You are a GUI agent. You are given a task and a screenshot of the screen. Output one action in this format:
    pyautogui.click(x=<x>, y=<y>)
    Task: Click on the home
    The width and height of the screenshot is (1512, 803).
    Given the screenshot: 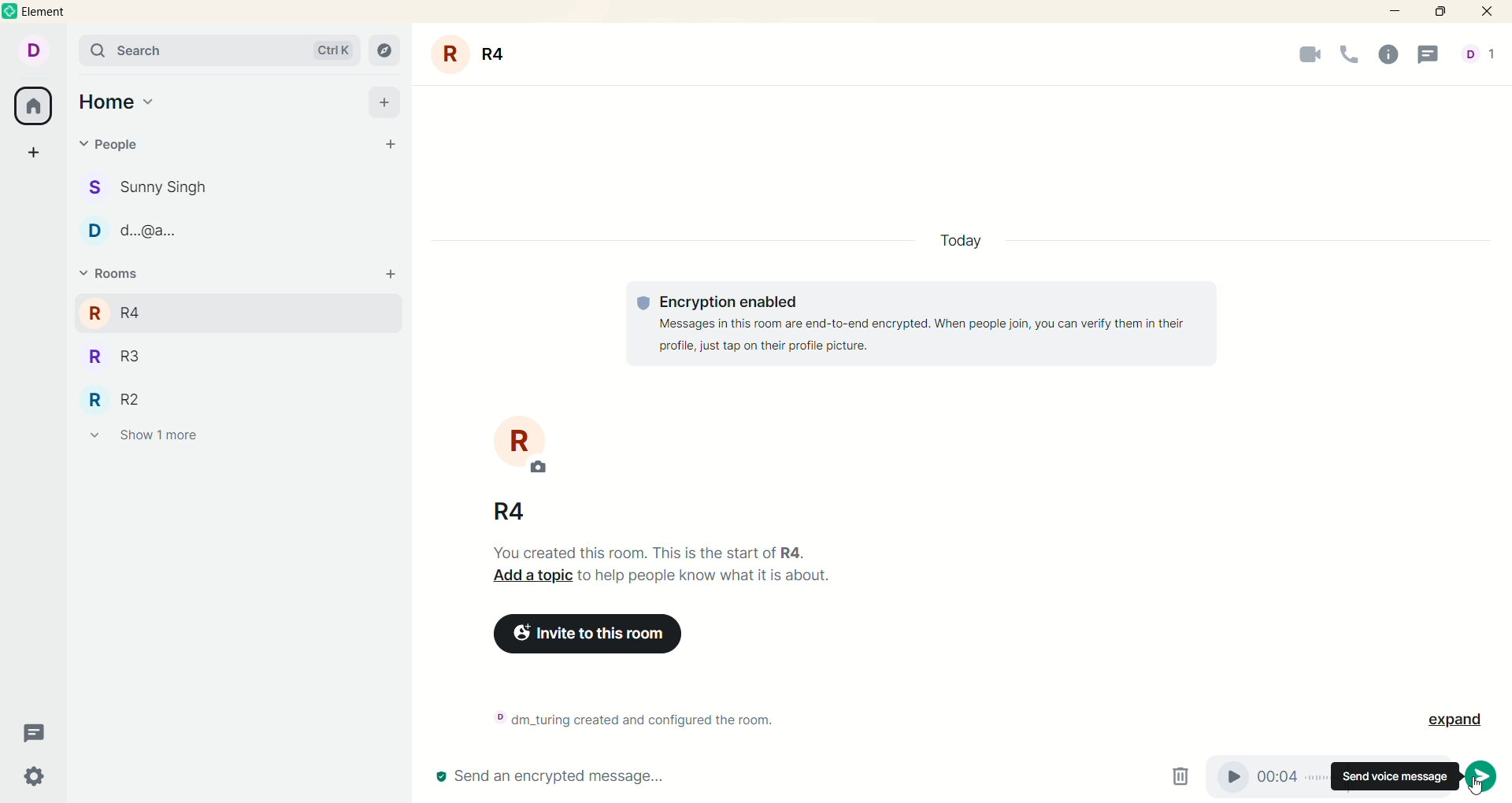 What is the action you would take?
    pyautogui.click(x=117, y=103)
    